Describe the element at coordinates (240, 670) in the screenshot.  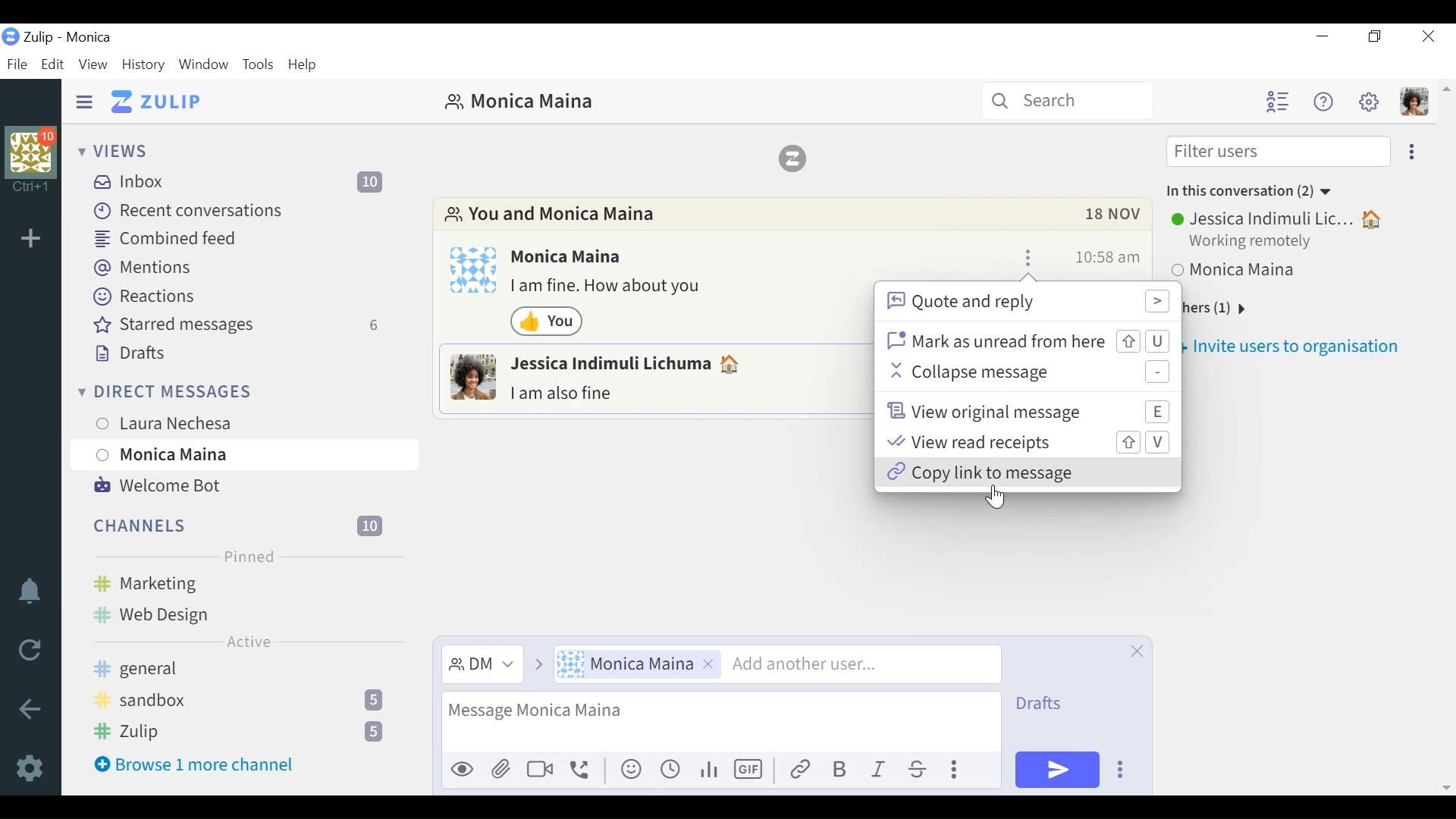
I see `general` at that location.